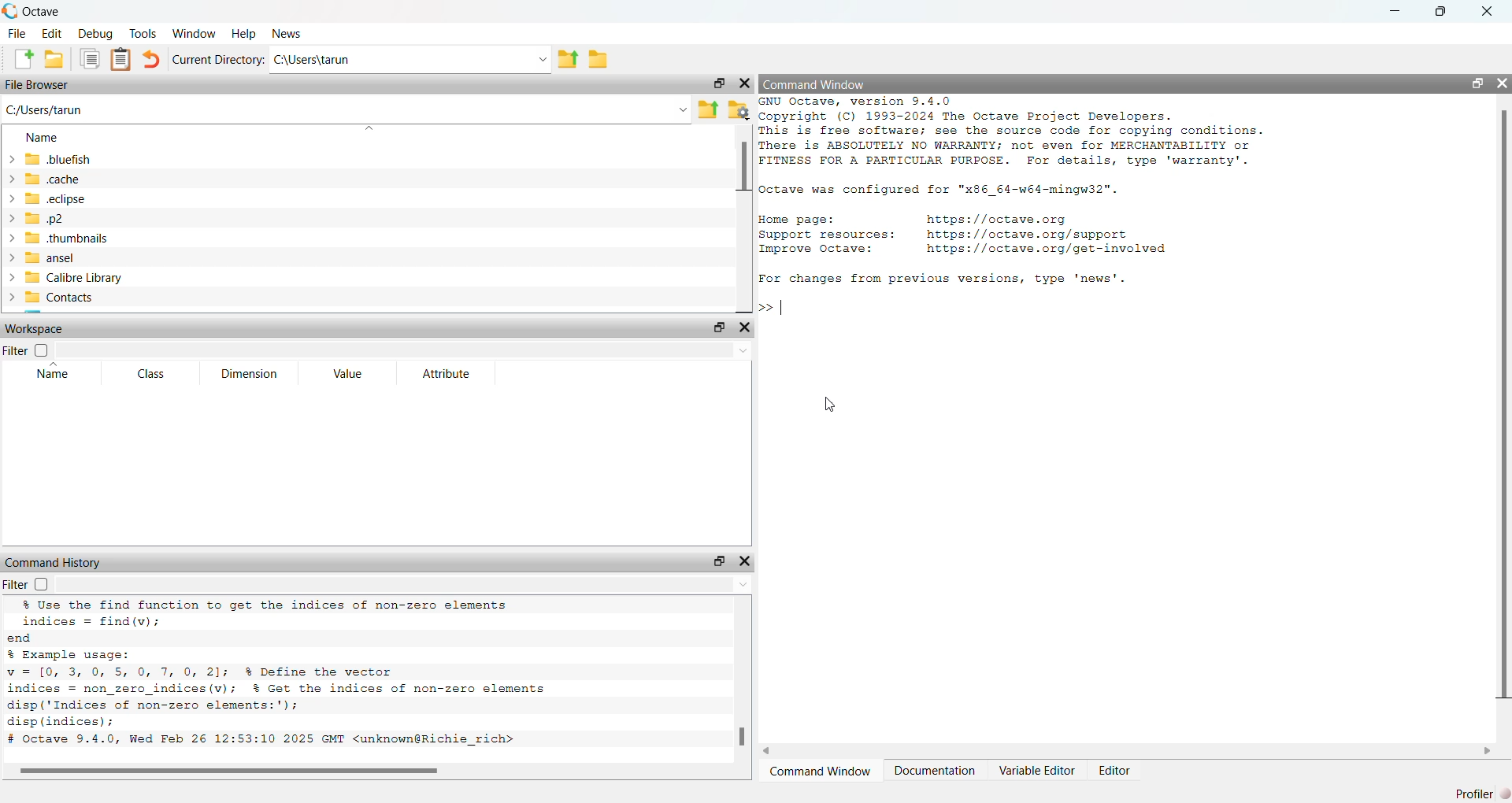 The width and height of the screenshot is (1512, 803). I want to click on close, so click(745, 329).